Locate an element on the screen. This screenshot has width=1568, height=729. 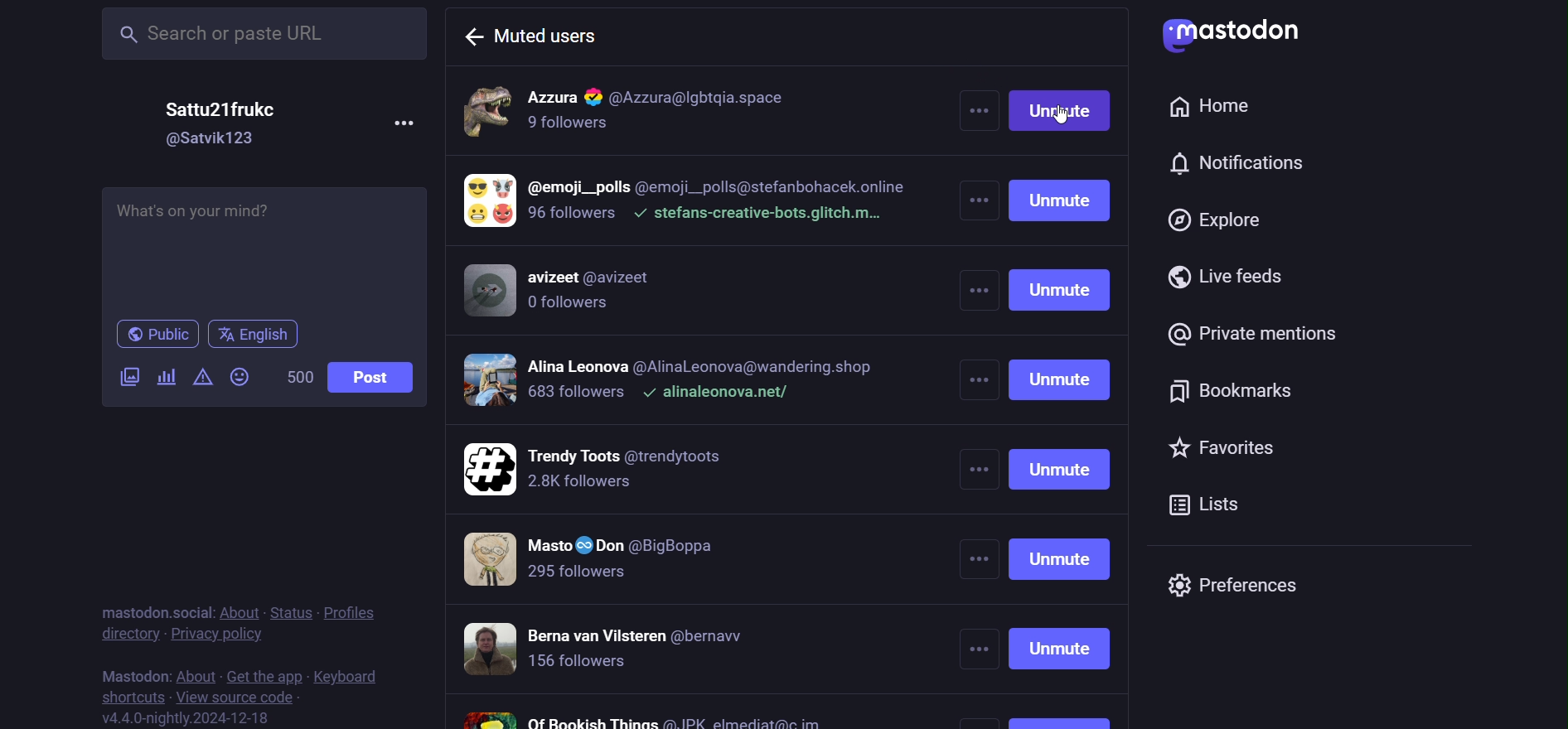
explore is located at coordinates (1216, 221).